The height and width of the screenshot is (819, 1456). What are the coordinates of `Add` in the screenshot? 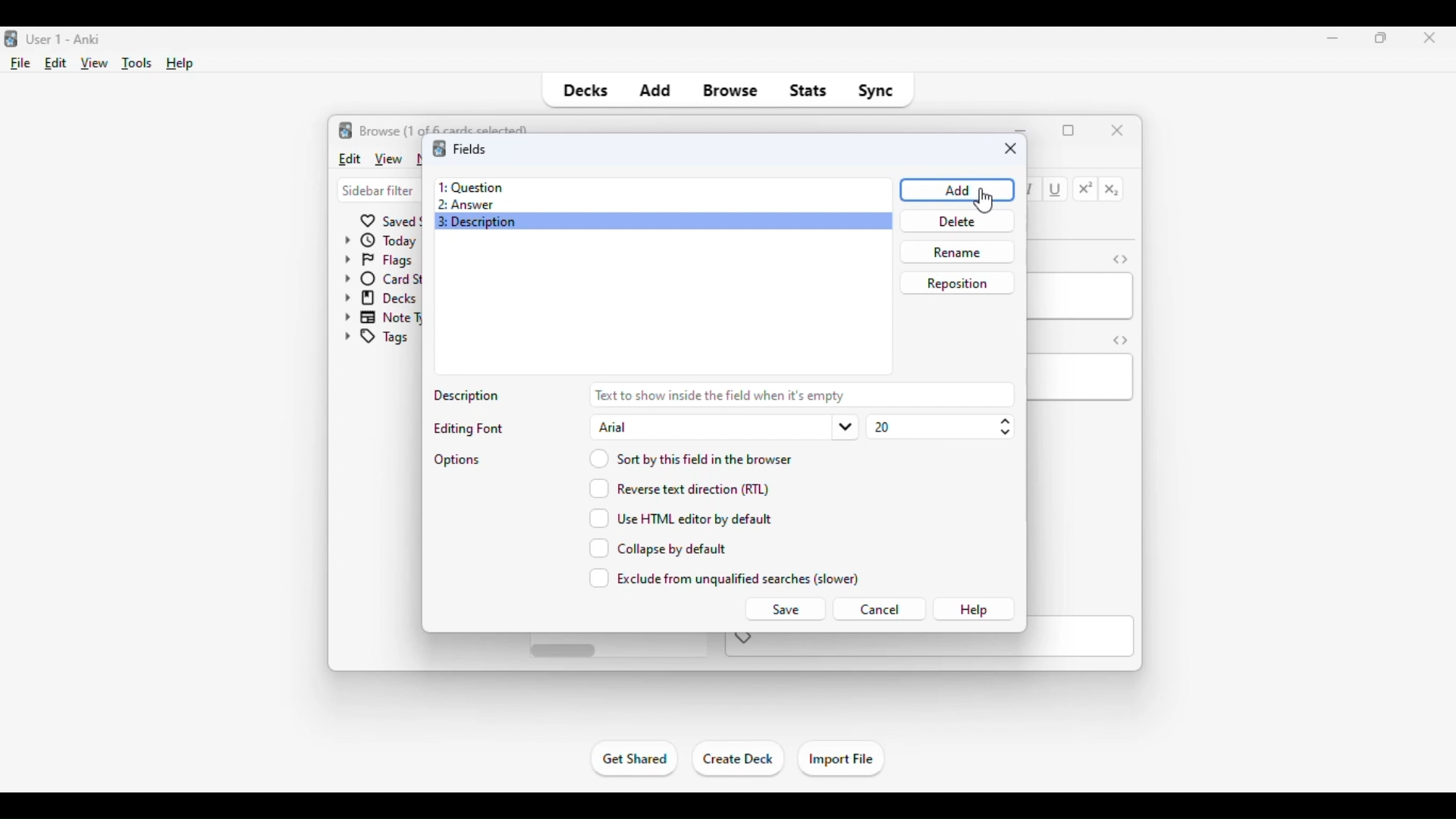 It's located at (955, 190).